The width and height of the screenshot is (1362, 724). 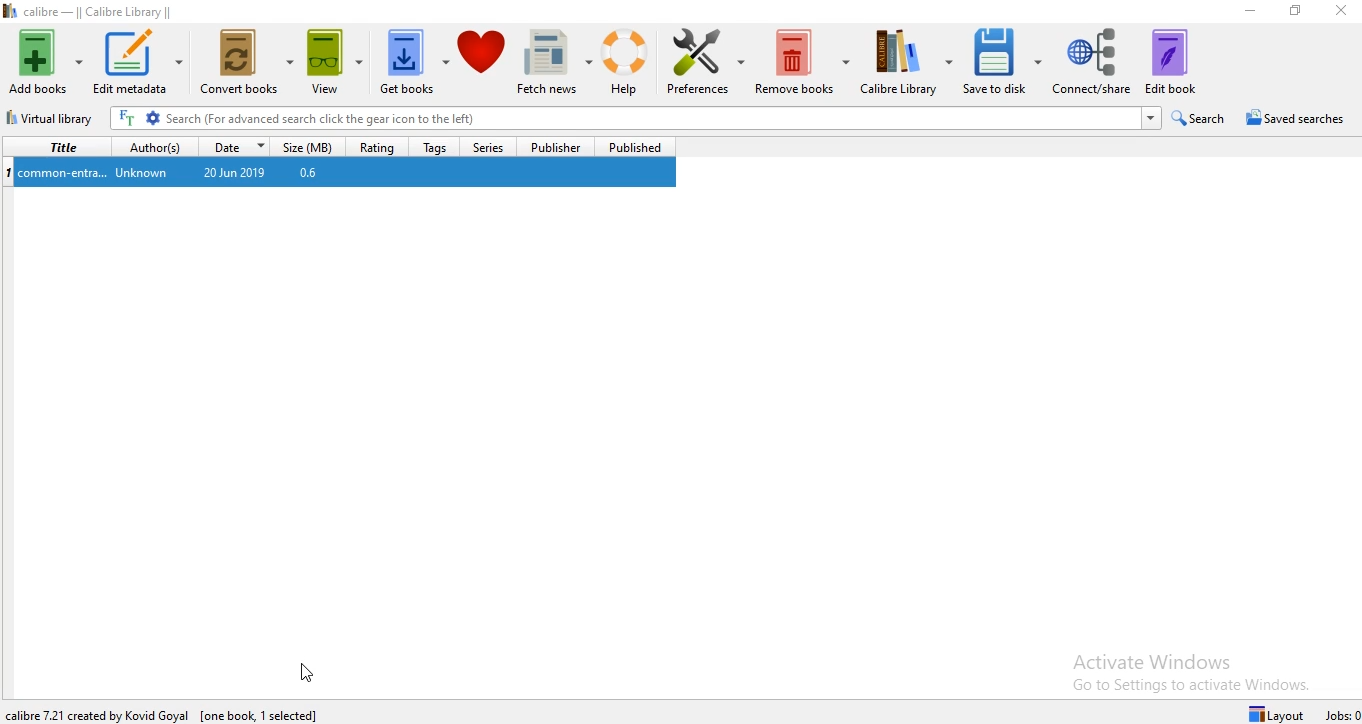 What do you see at coordinates (432, 146) in the screenshot?
I see `Tags` at bounding box center [432, 146].